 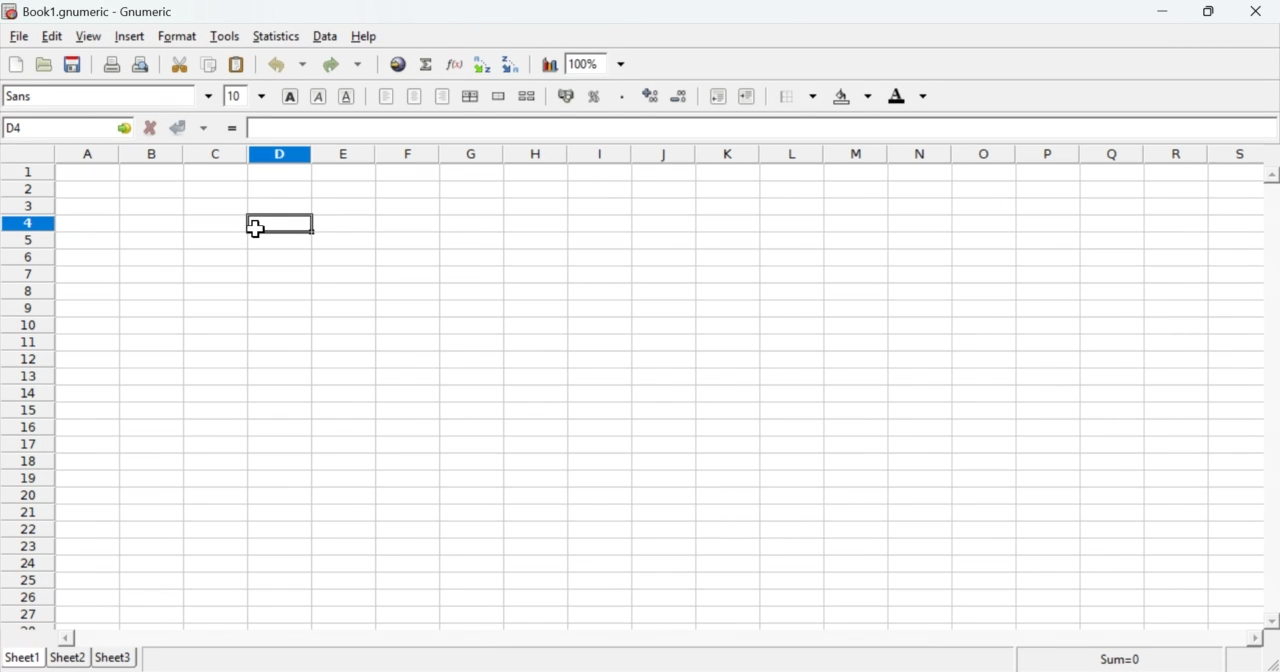 What do you see at coordinates (284, 223) in the screenshot?
I see `selected cell` at bounding box center [284, 223].